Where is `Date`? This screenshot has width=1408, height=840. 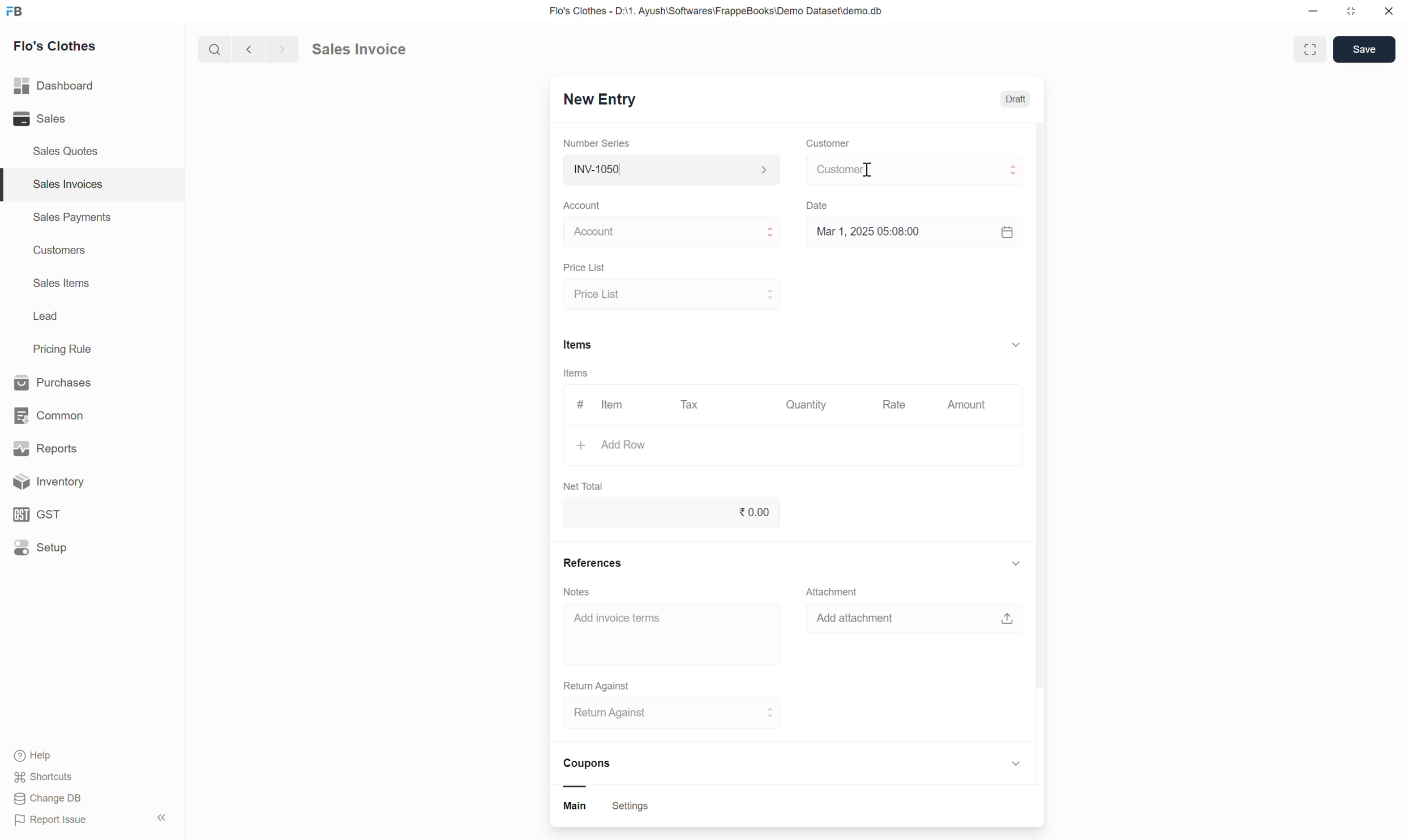
Date is located at coordinates (820, 207).